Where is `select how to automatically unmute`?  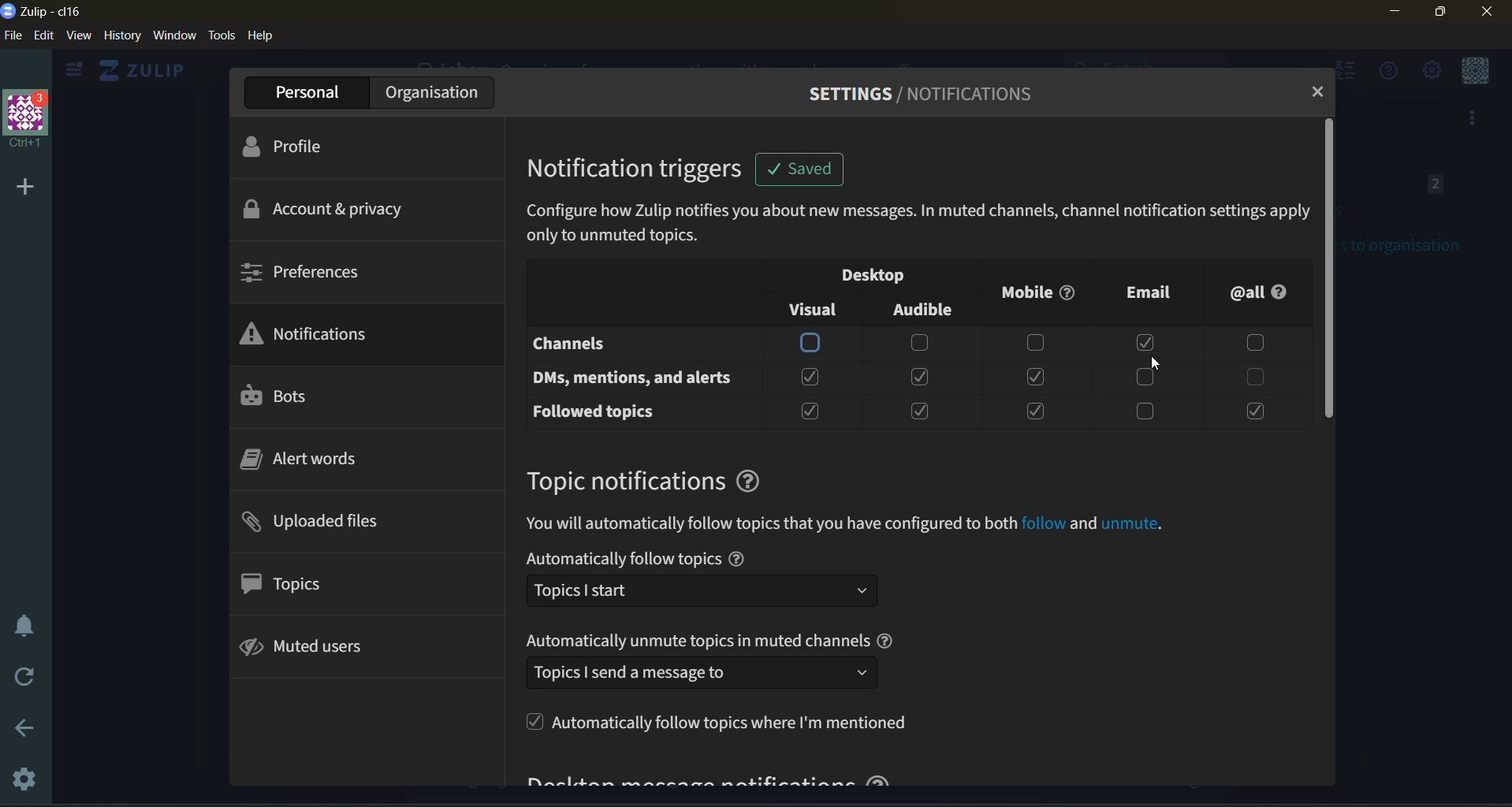 select how to automatically unmute is located at coordinates (701, 672).